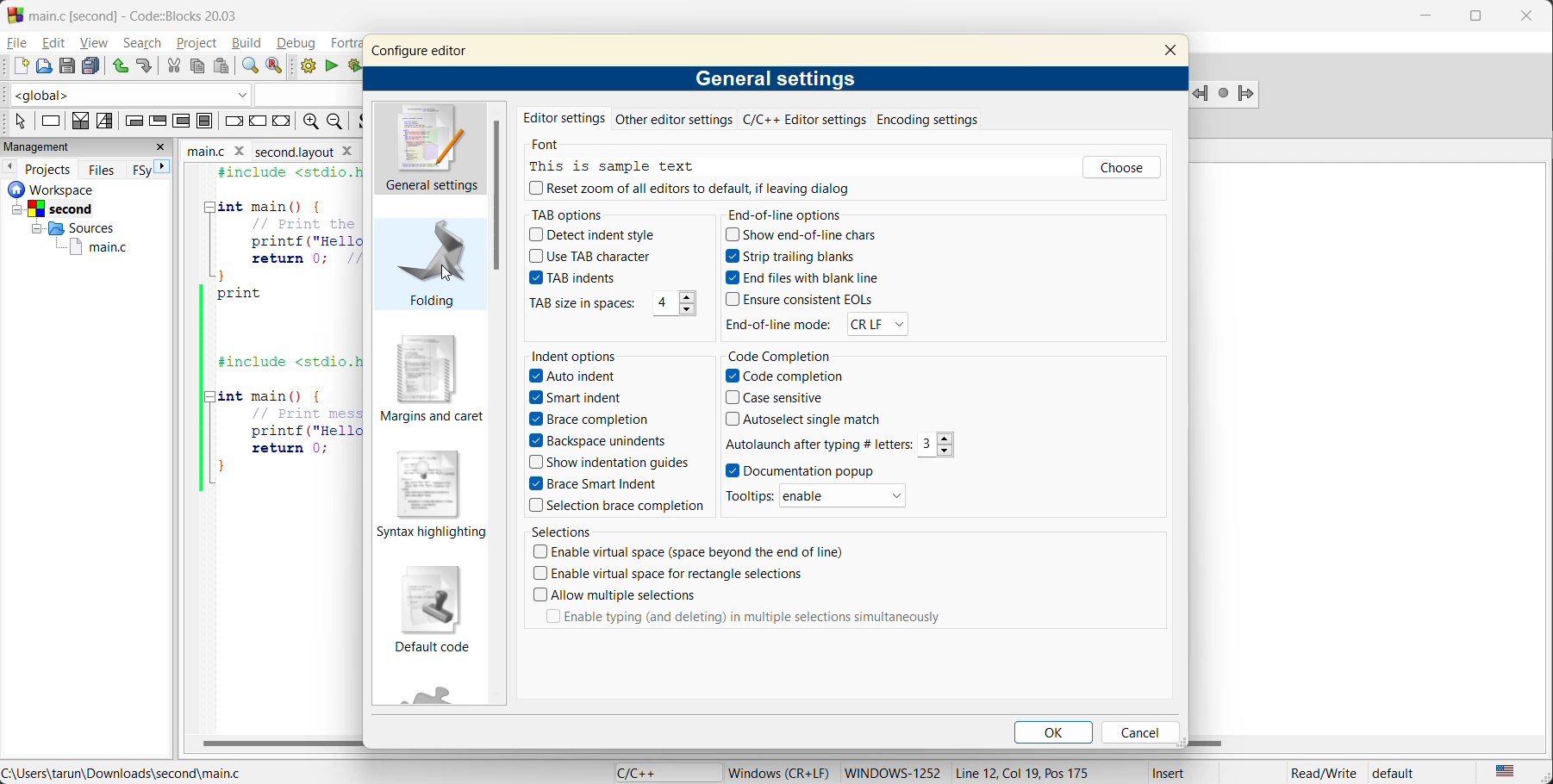 The image size is (1553, 784). I want to click on , so click(52, 208).